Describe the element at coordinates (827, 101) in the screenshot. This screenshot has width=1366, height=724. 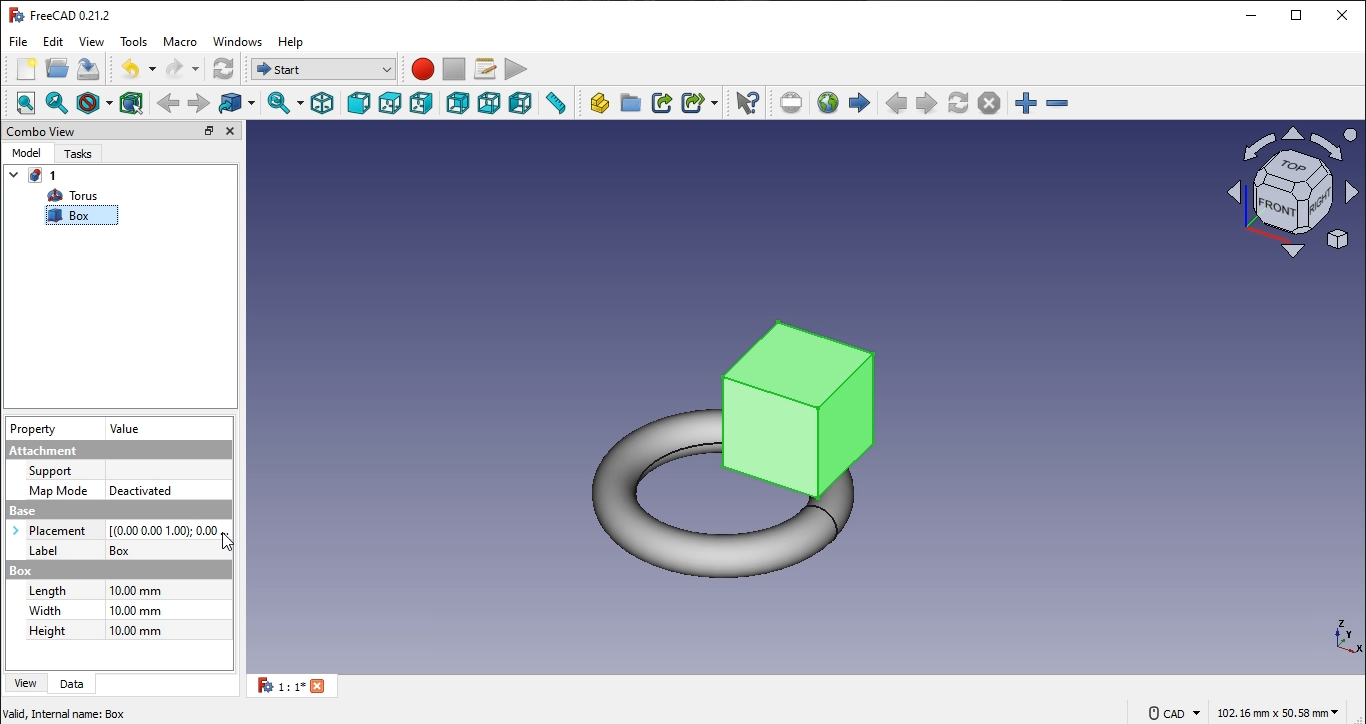
I see `open website` at that location.